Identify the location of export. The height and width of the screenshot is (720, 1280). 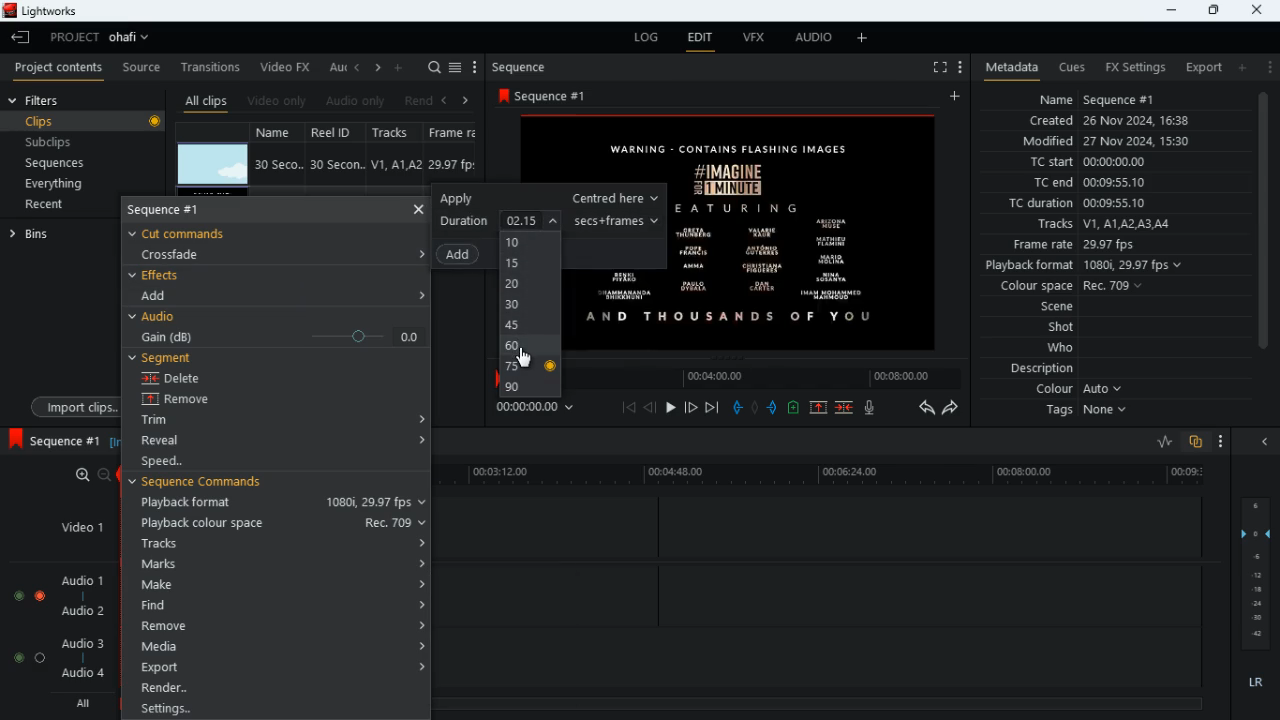
(1198, 68).